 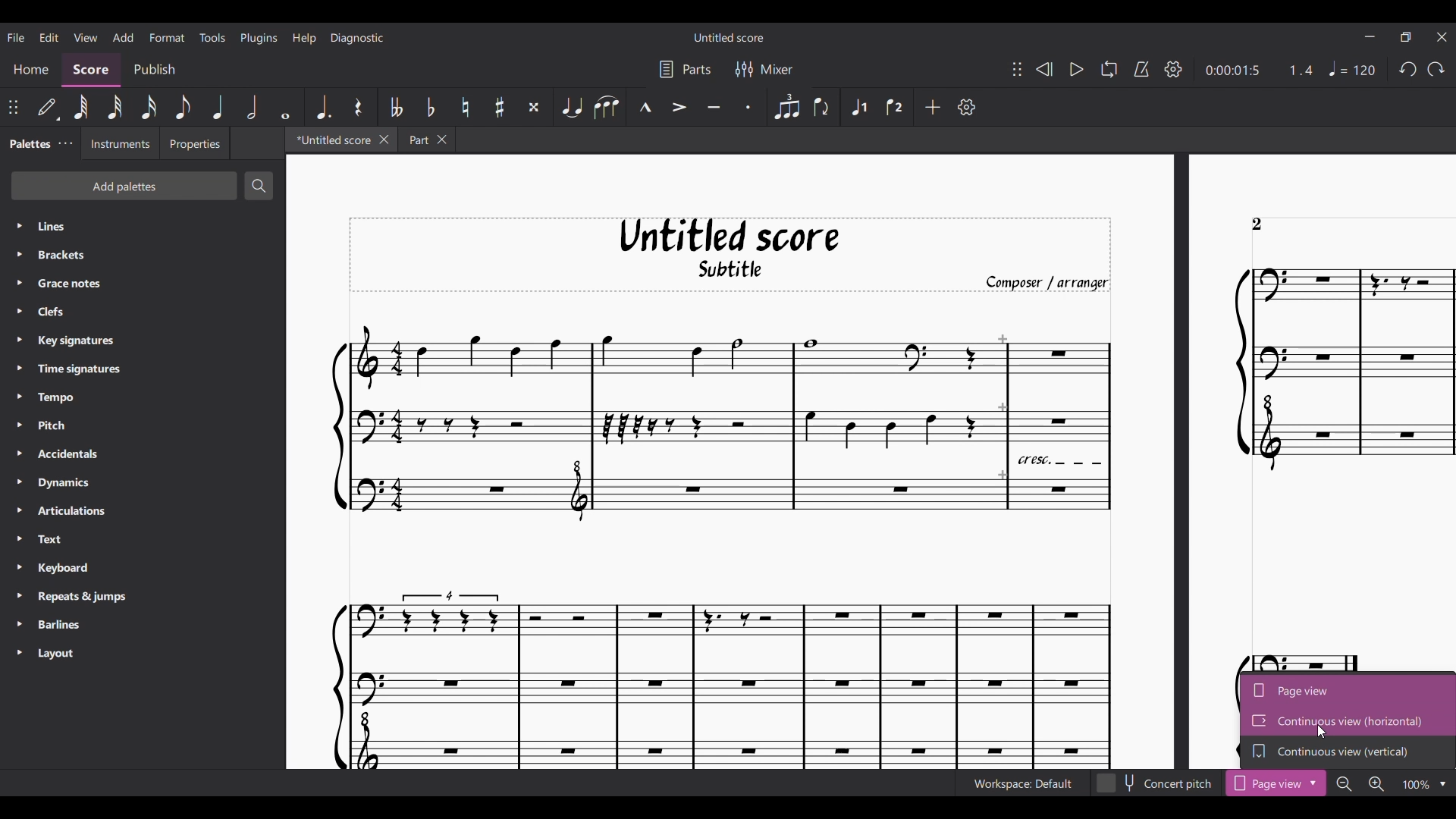 I want to click on Augmentation dot, so click(x=322, y=106).